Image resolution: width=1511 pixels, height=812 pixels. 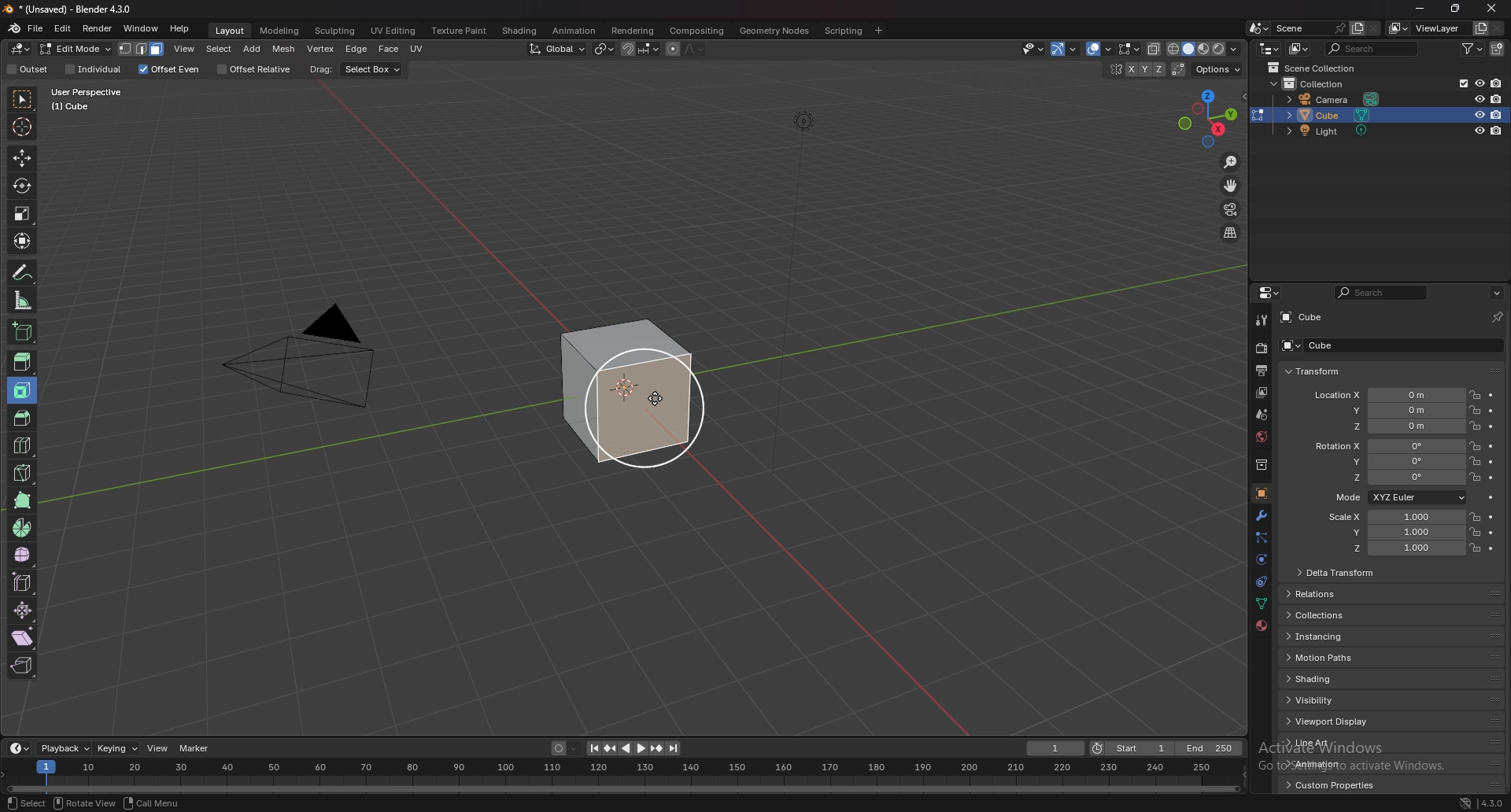 I want to click on collection, so click(x=1321, y=84).